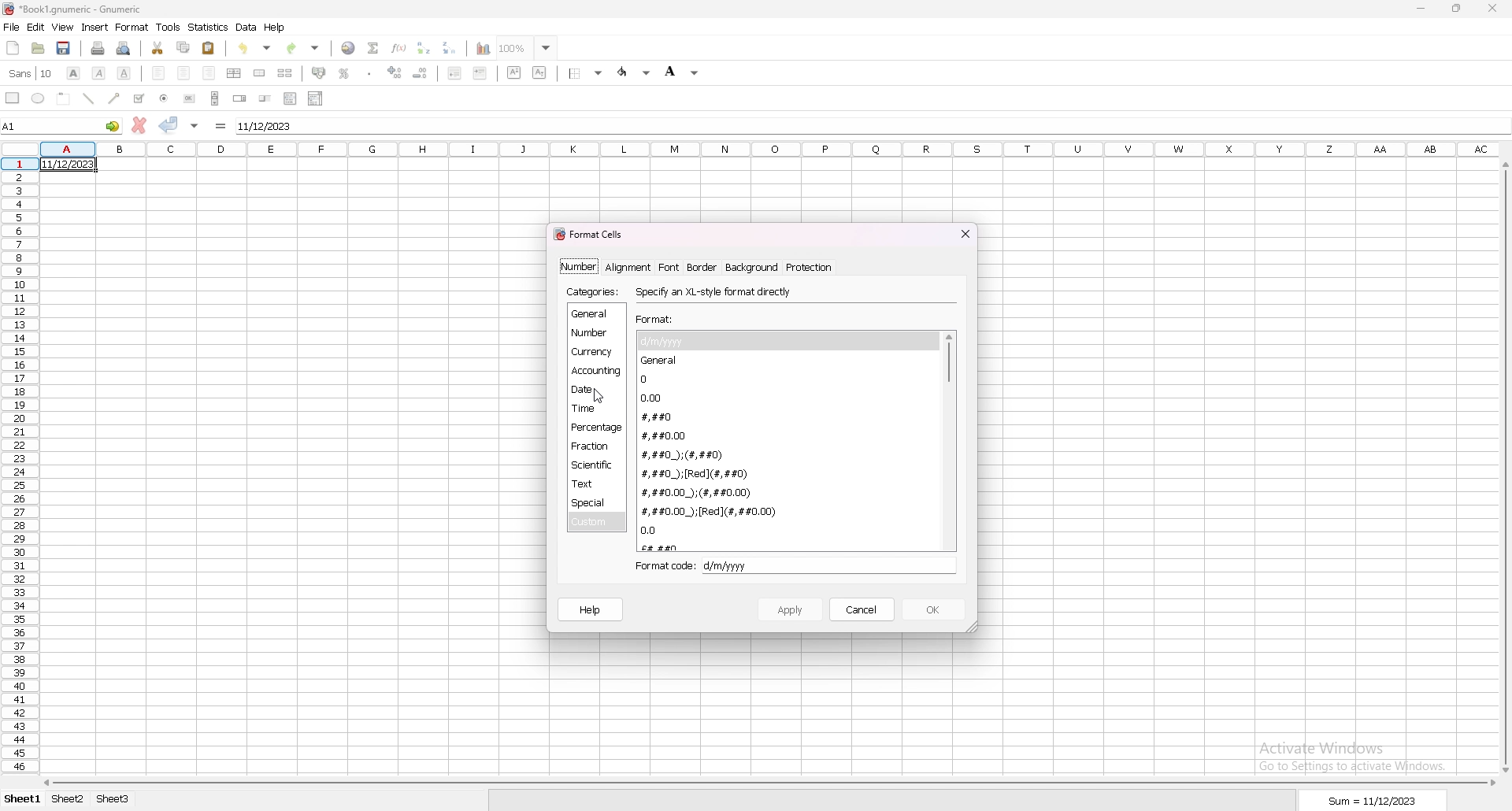 The image size is (1512, 811). What do you see at coordinates (241, 98) in the screenshot?
I see `spin button` at bounding box center [241, 98].